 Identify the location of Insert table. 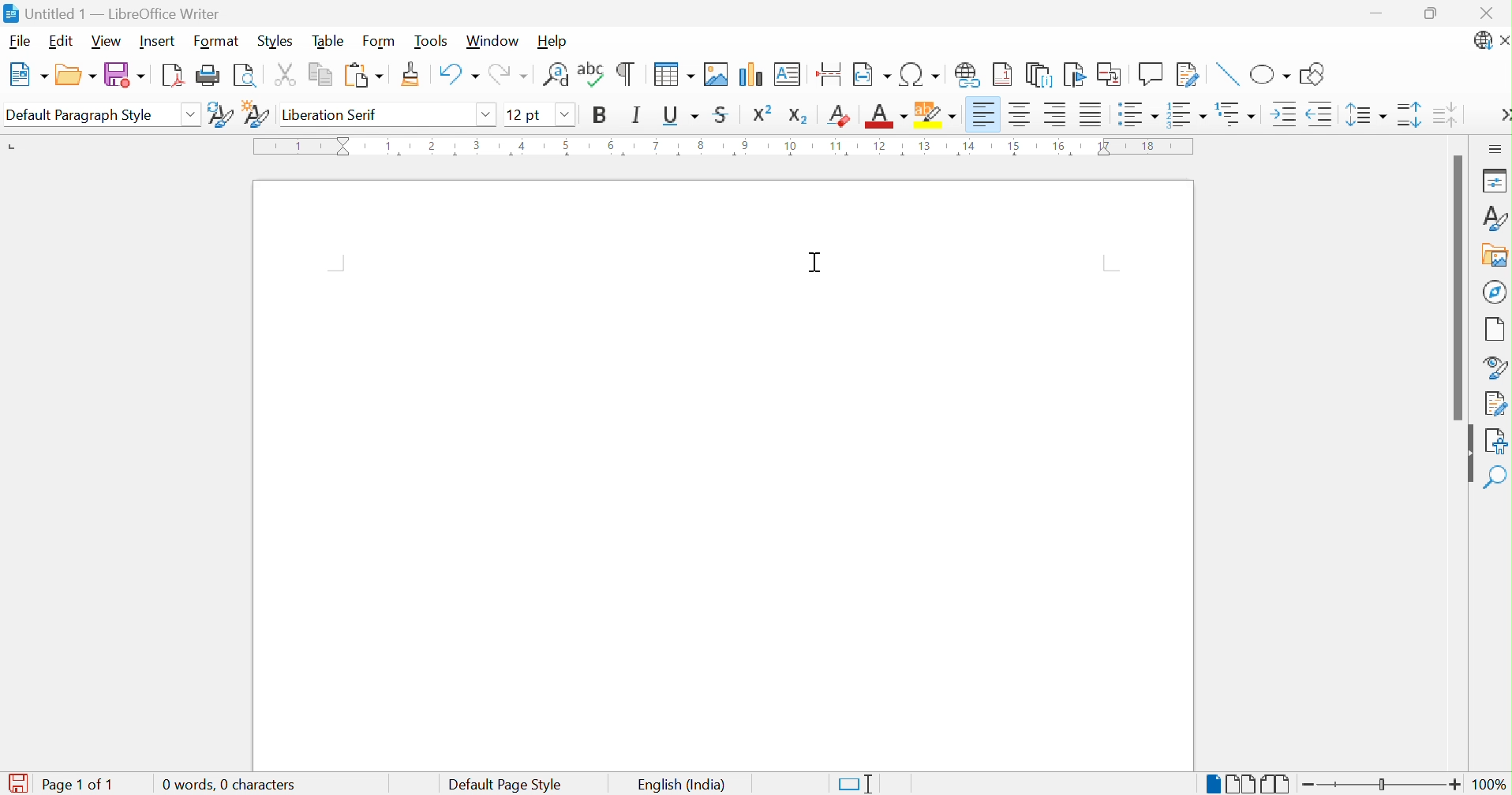
(672, 73).